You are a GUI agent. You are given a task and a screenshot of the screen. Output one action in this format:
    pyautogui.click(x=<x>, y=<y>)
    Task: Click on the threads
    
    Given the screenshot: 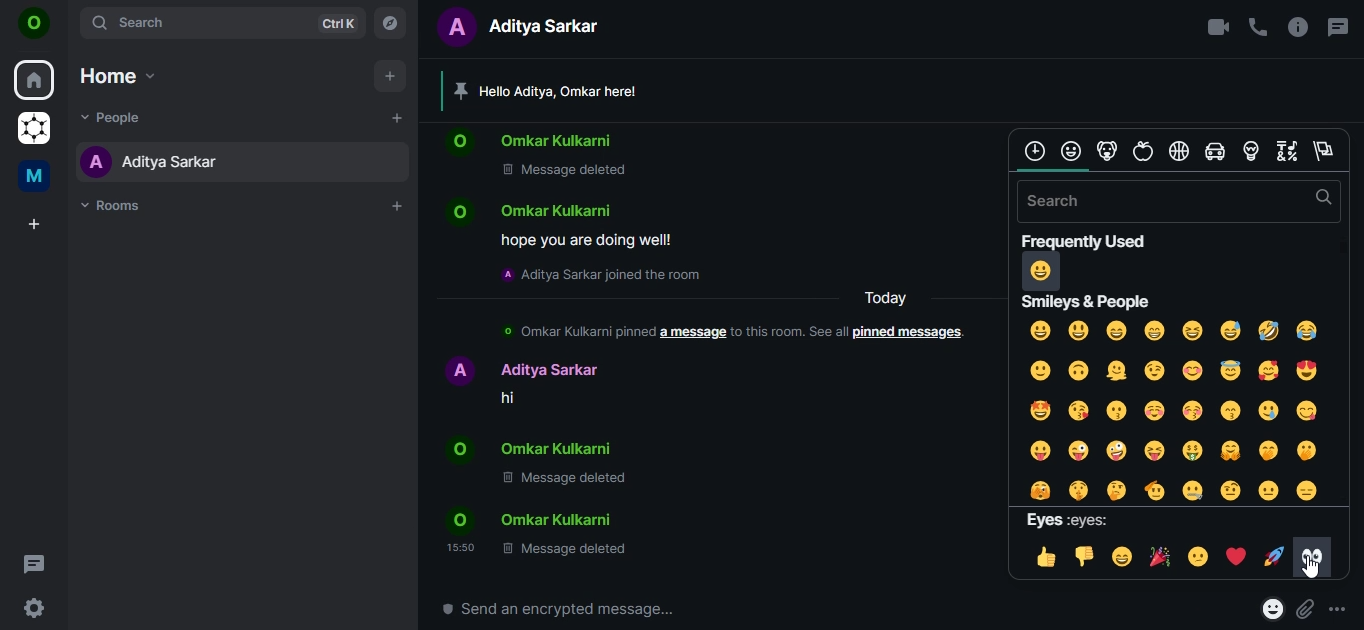 What is the action you would take?
    pyautogui.click(x=35, y=563)
    